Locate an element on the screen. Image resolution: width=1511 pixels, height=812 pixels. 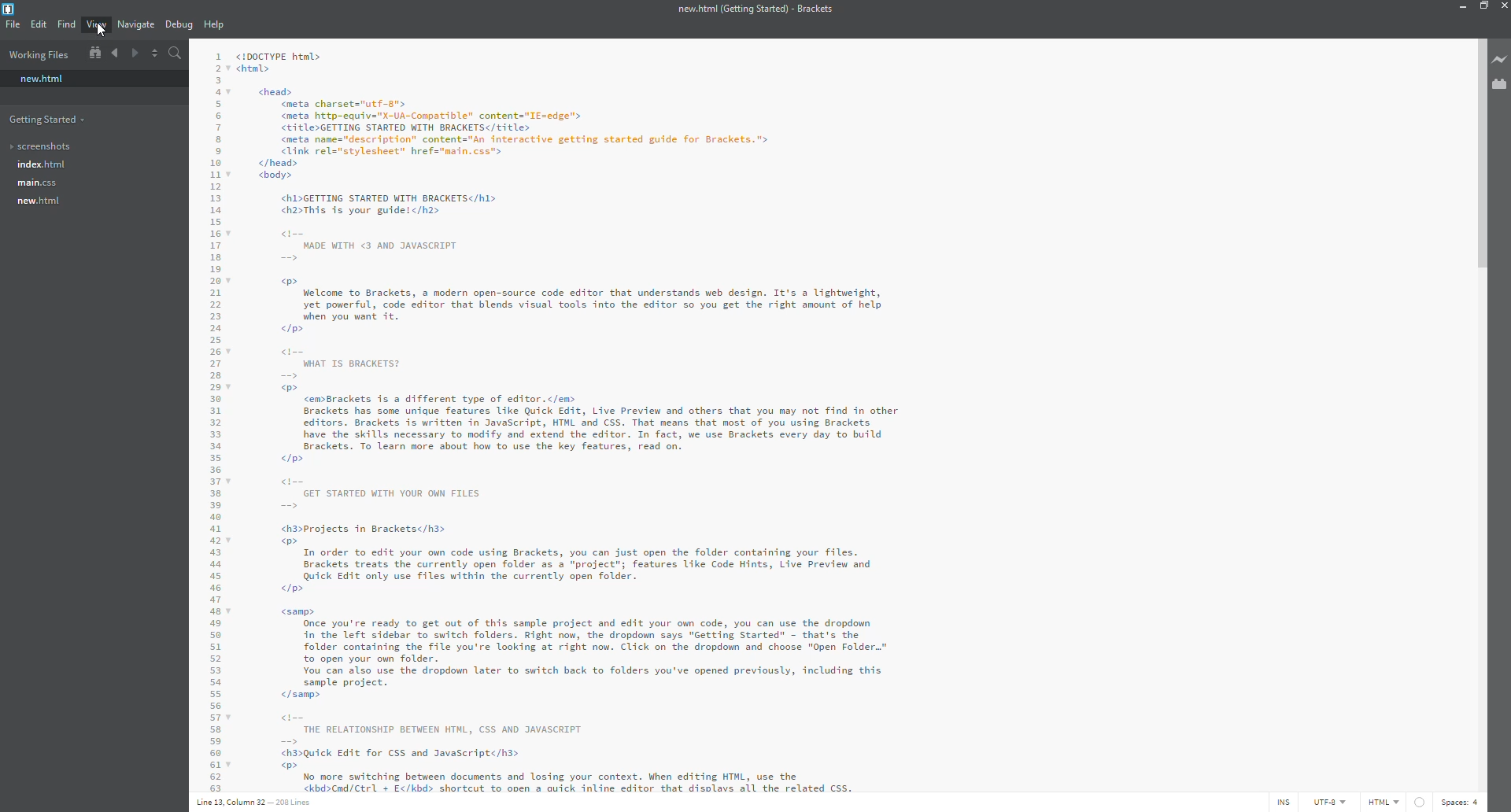
scroll bar is located at coordinates (1483, 146).